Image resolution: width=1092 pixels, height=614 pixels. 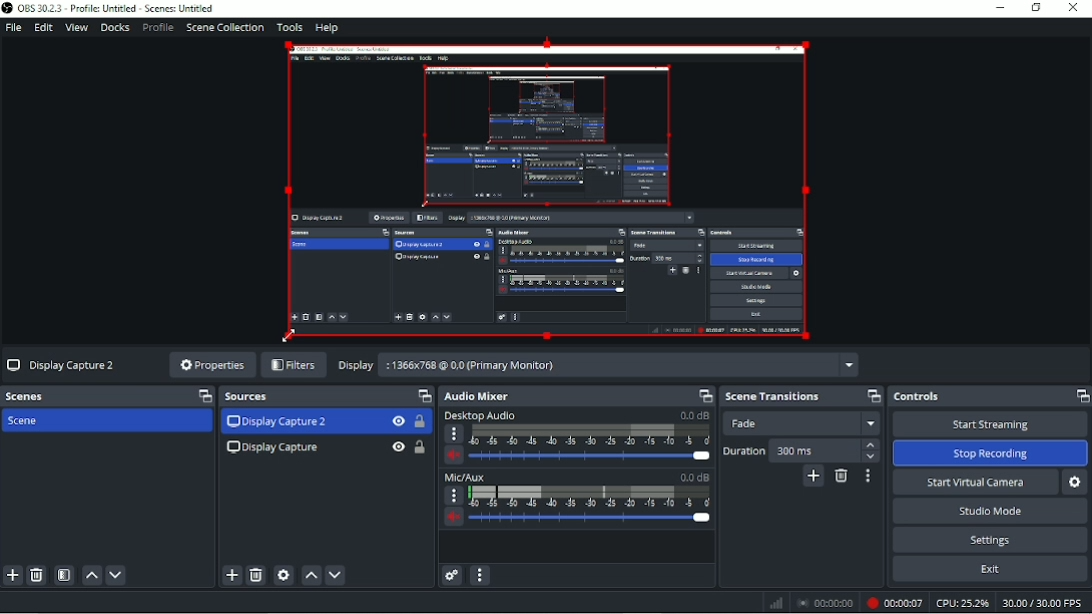 What do you see at coordinates (92, 575) in the screenshot?
I see `Move scene up` at bounding box center [92, 575].